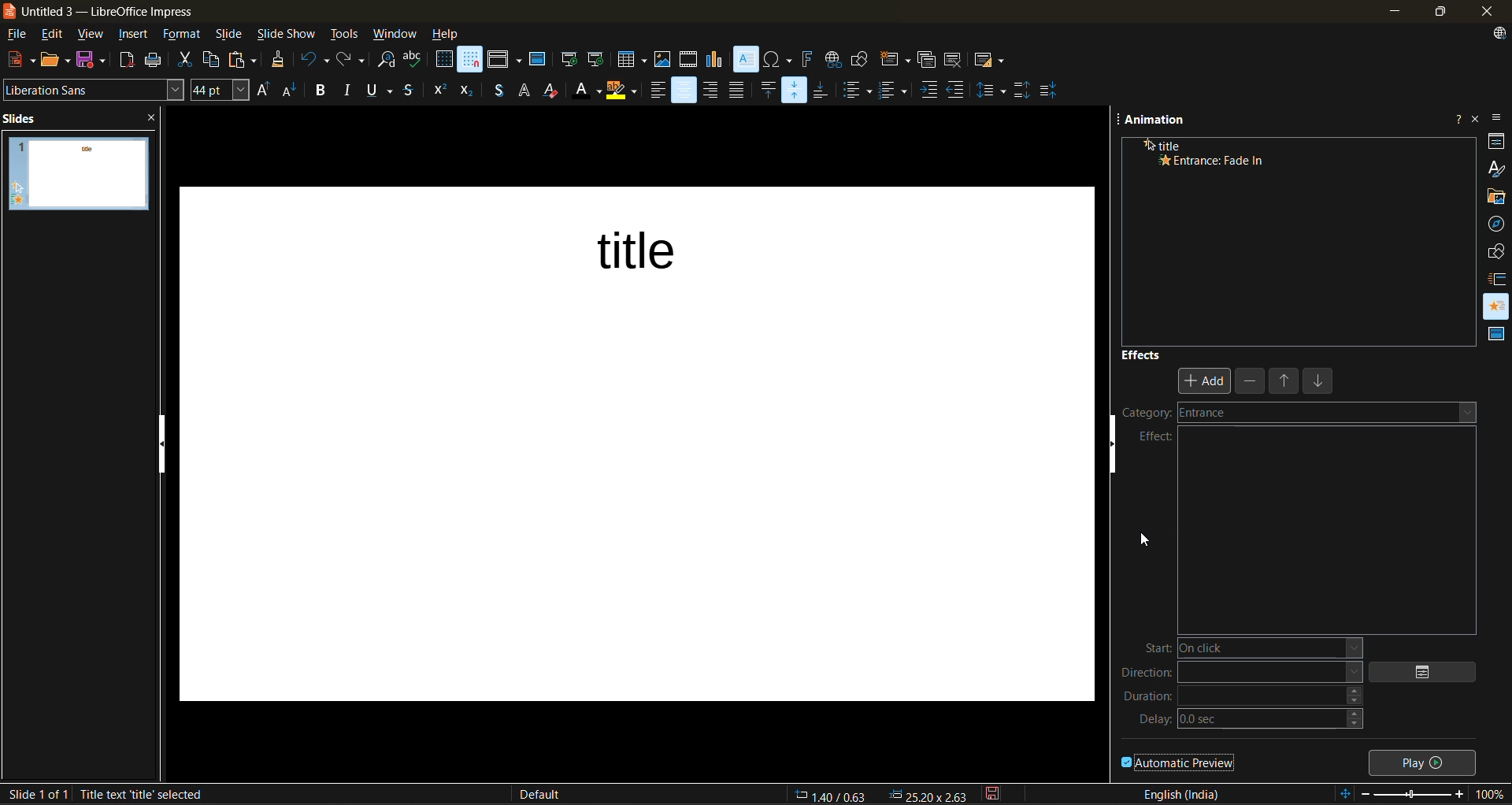  I want to click on hide, so click(165, 443).